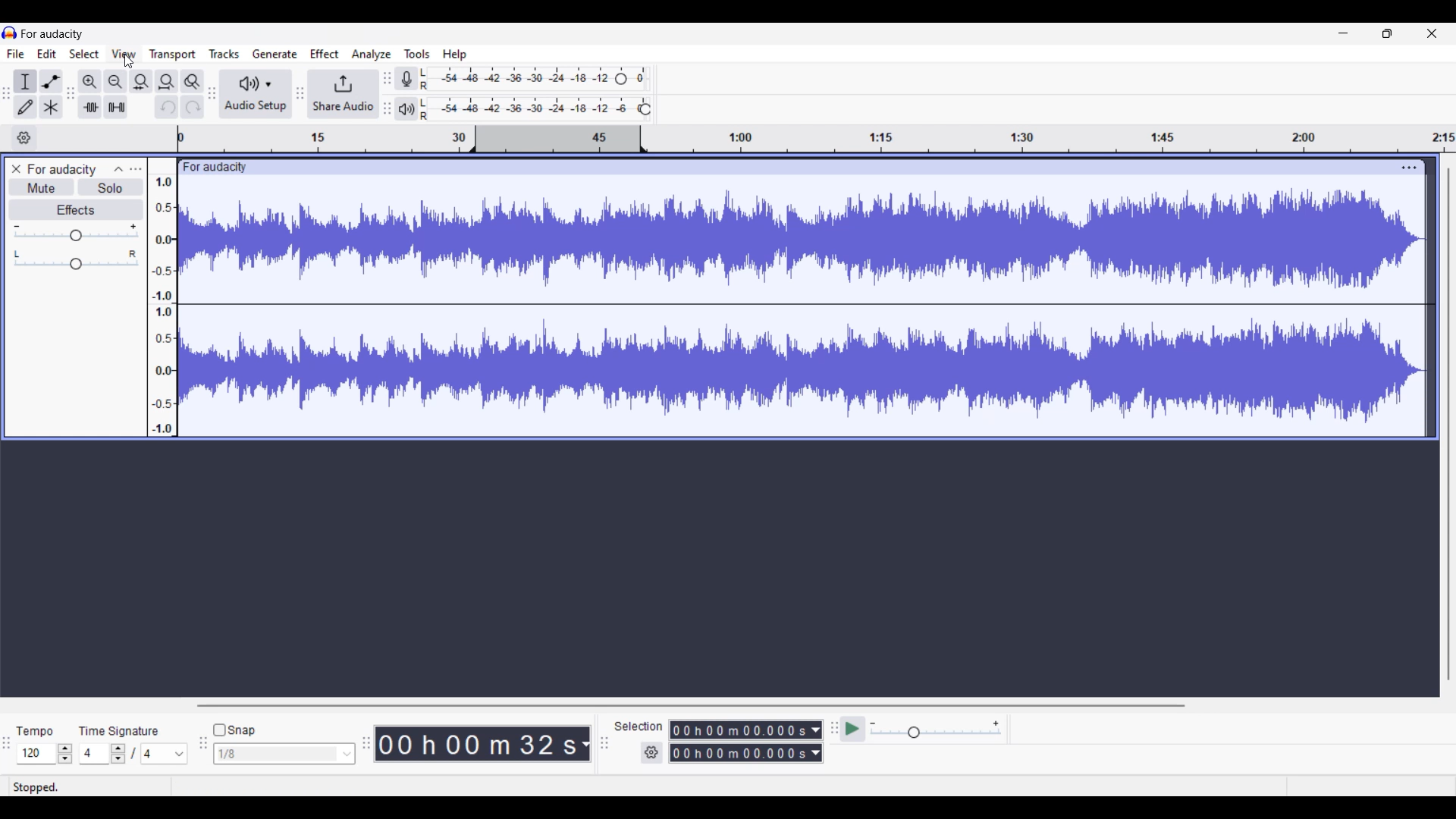 Image resolution: width=1456 pixels, height=819 pixels. Describe the element at coordinates (35, 753) in the screenshot. I see `Input tempo` at that location.